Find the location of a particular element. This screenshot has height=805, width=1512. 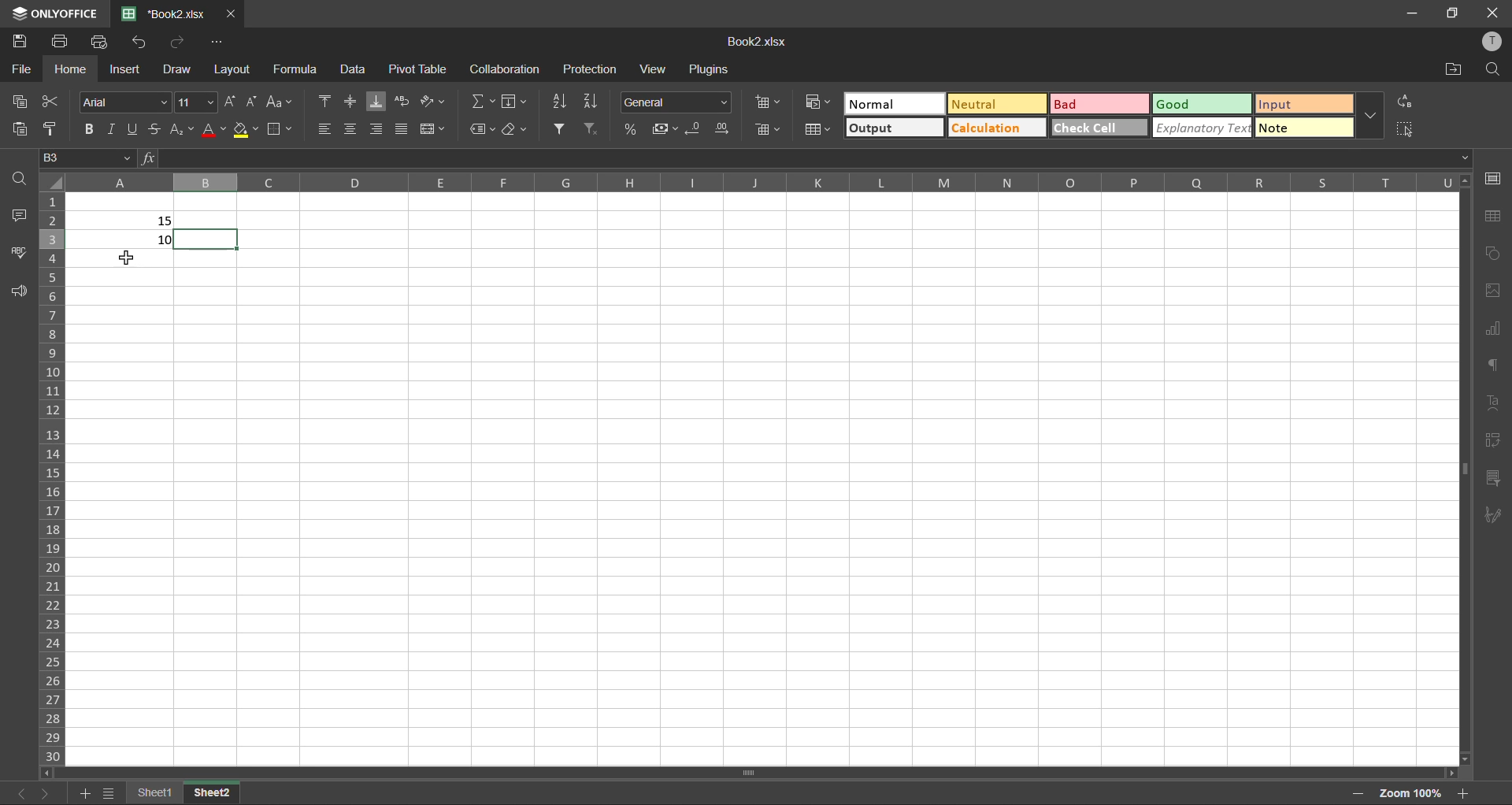

align center is located at coordinates (352, 129).